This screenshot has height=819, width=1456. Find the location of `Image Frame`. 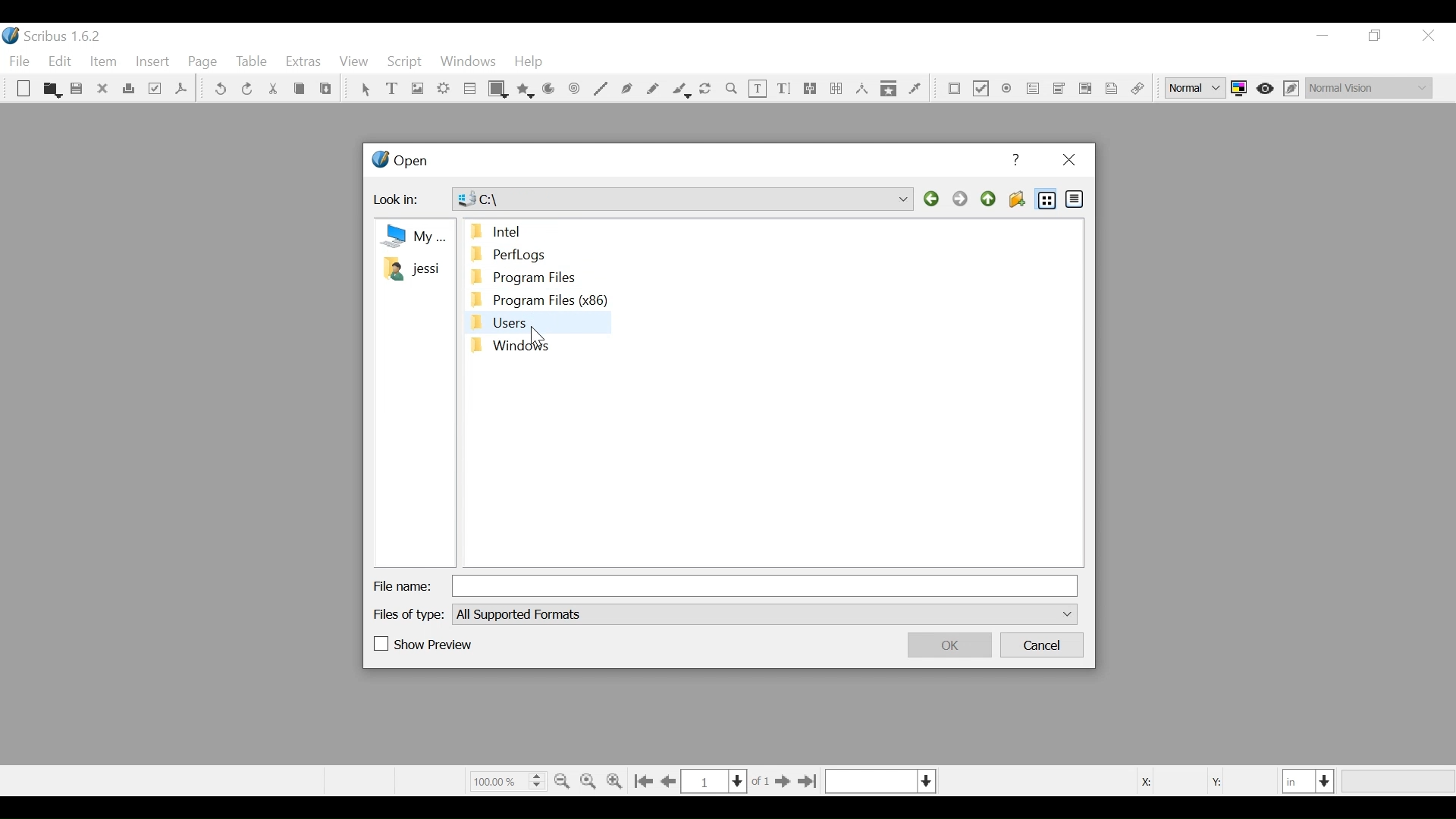

Image Frame is located at coordinates (416, 89).